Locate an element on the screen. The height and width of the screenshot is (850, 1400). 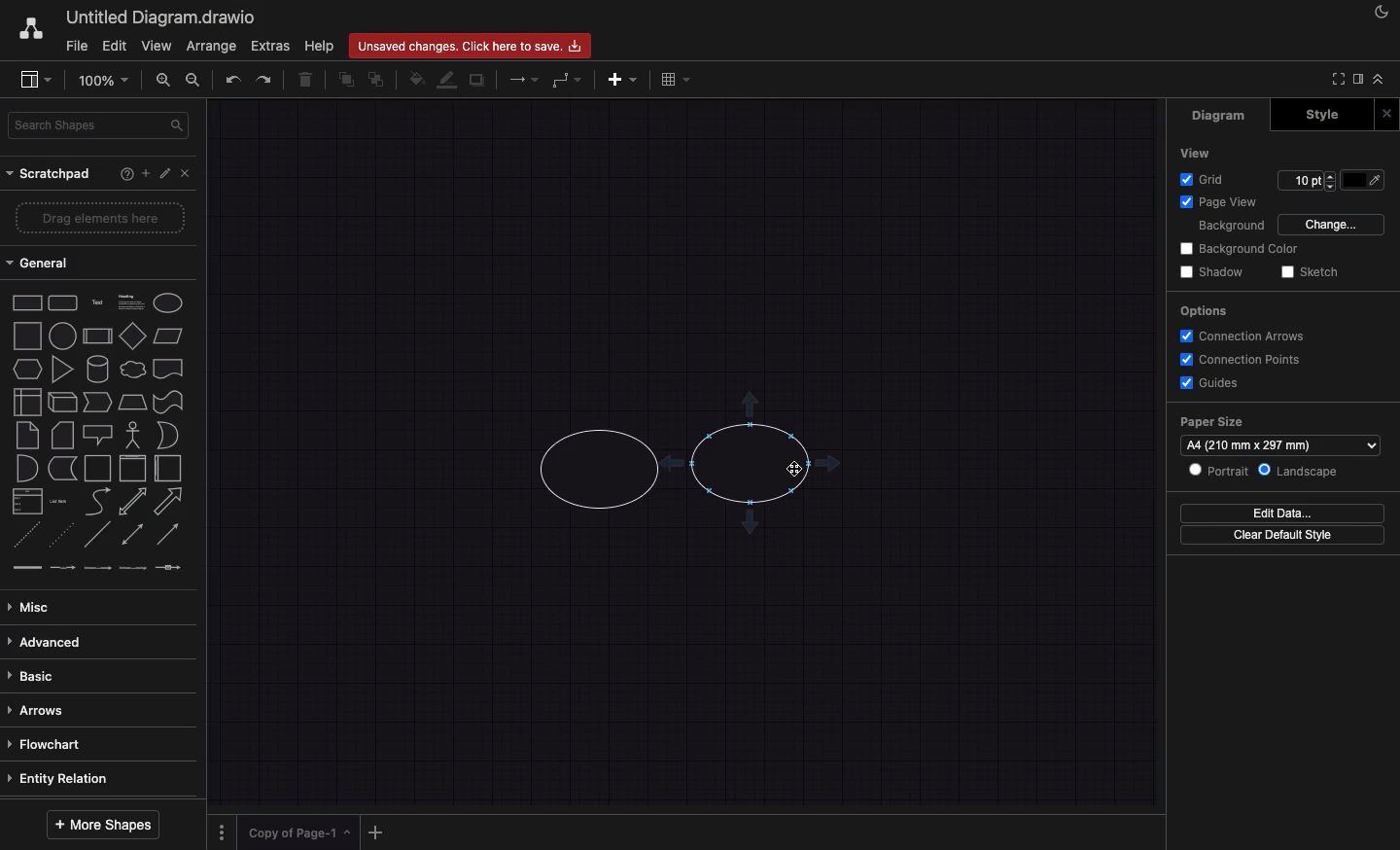
redo is located at coordinates (265, 79).